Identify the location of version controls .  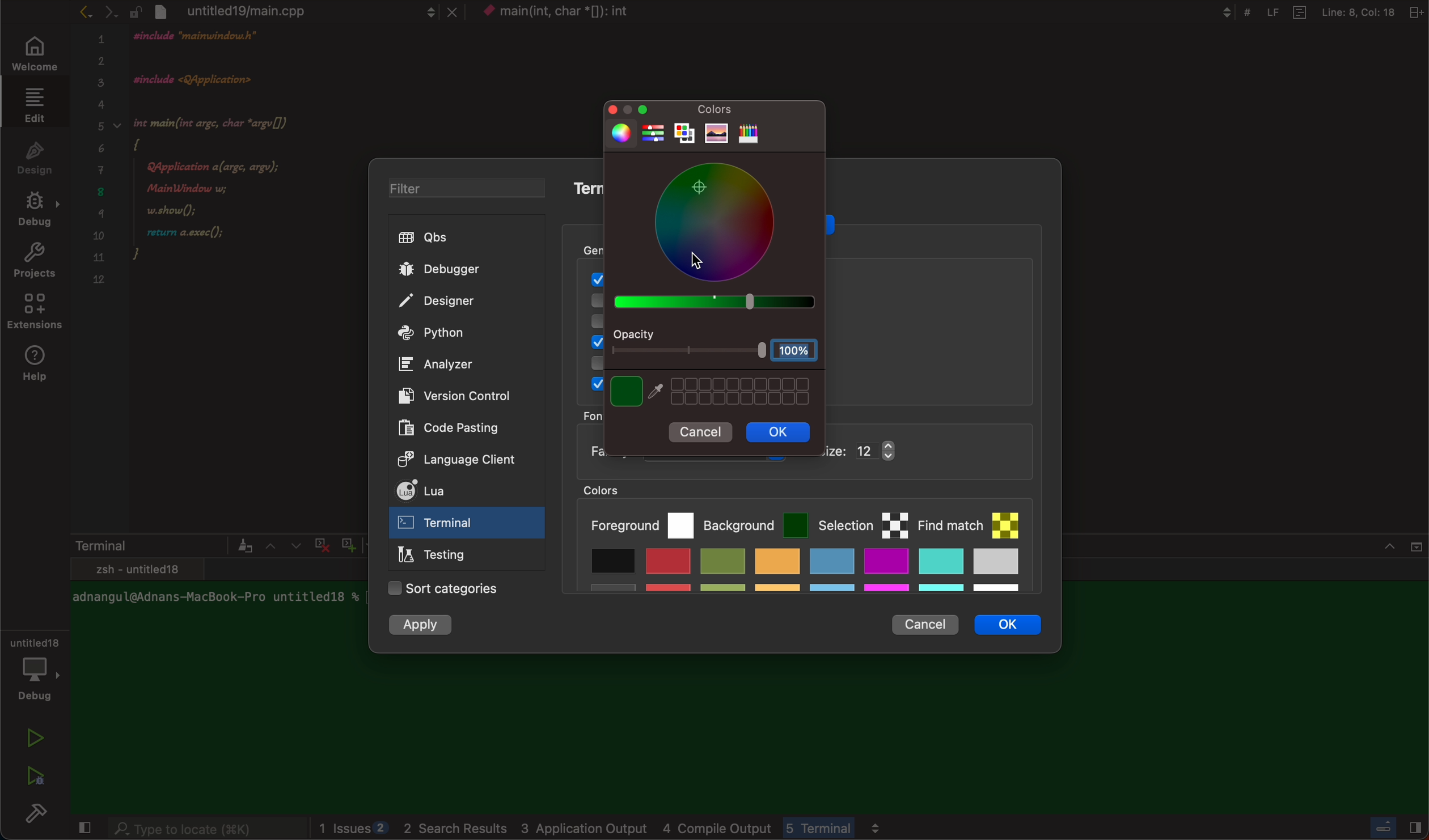
(450, 395).